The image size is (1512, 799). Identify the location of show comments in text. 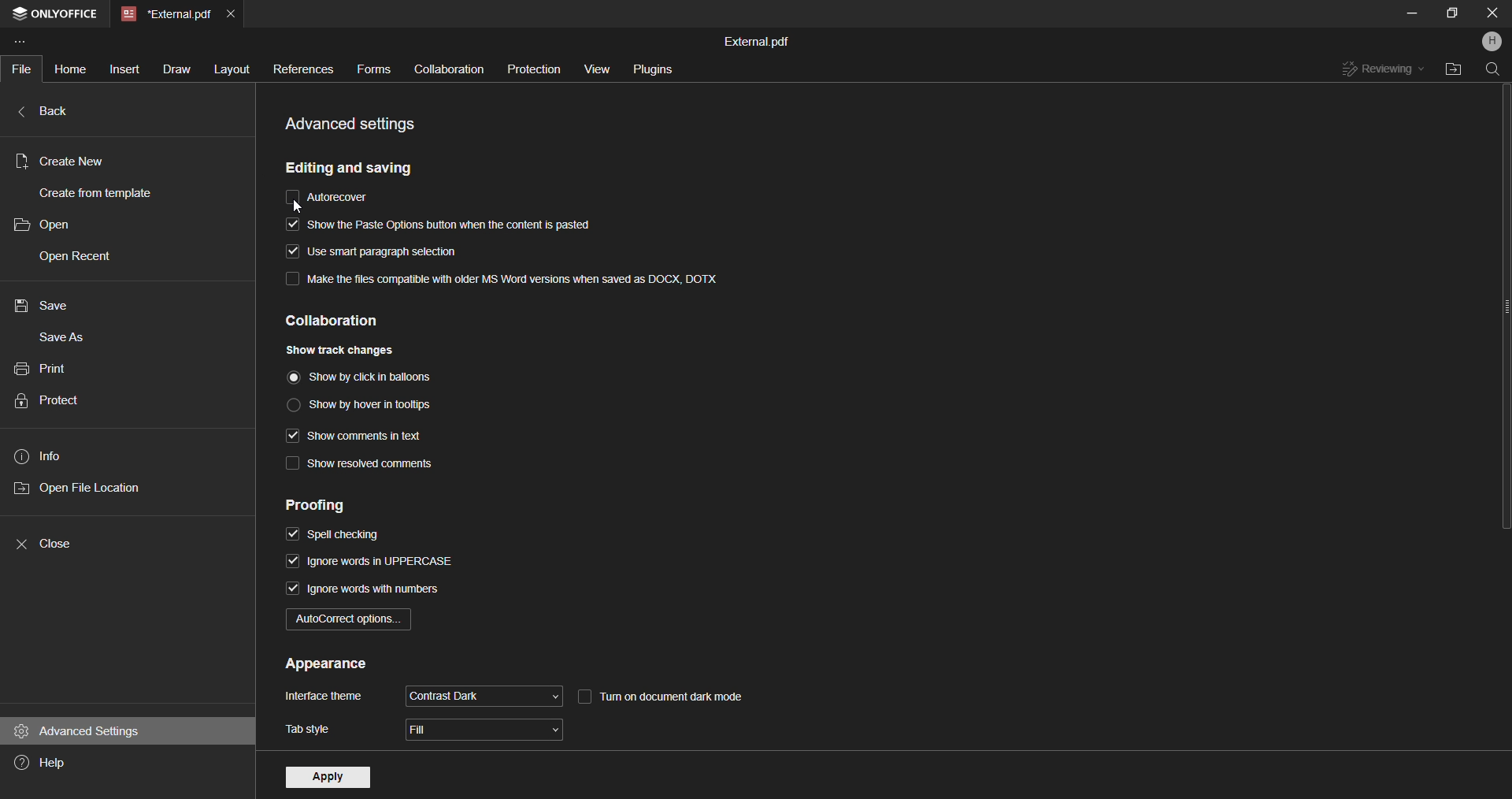
(358, 436).